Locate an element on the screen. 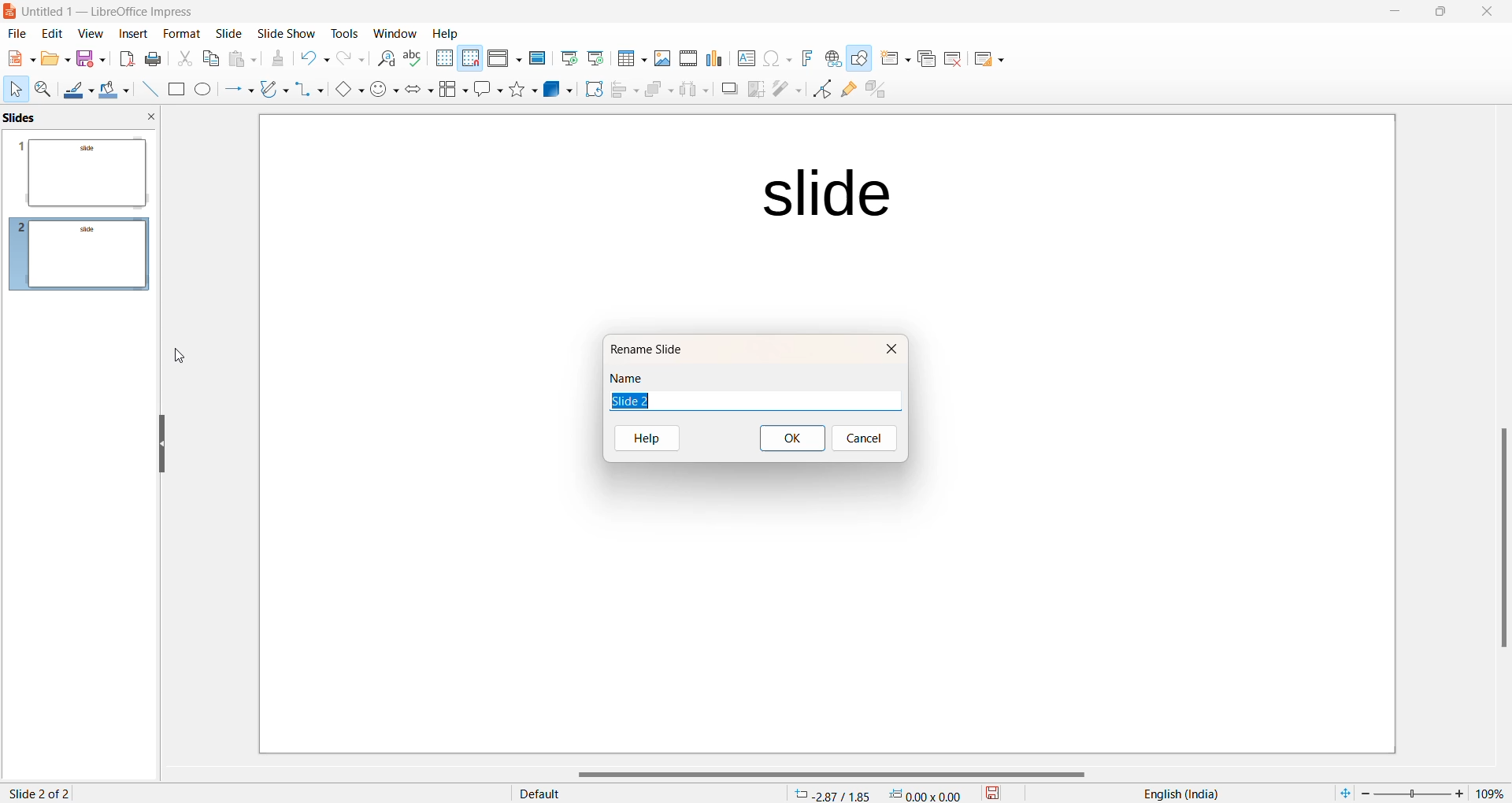  Insert images is located at coordinates (660, 57).